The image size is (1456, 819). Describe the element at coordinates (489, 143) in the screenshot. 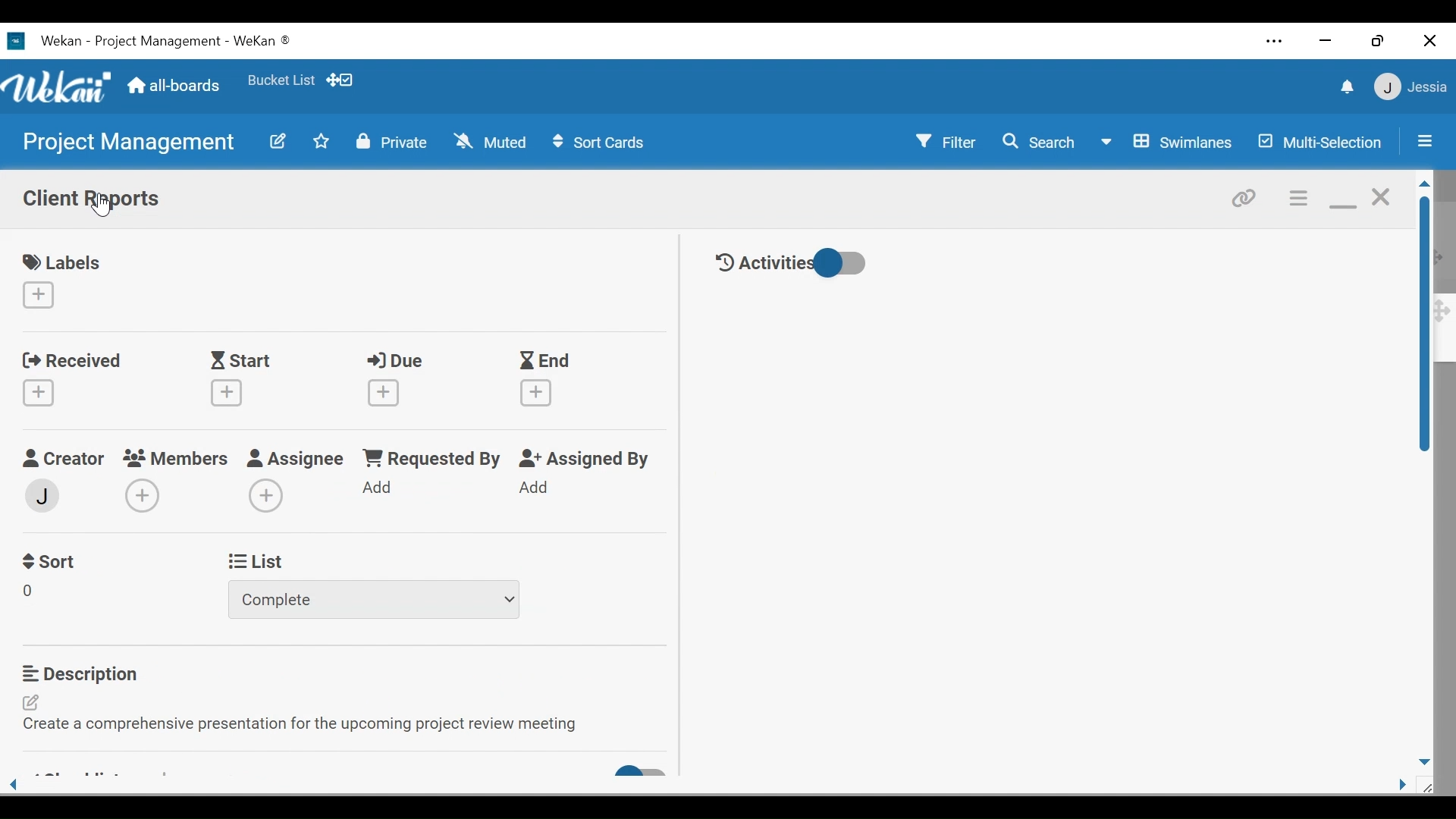

I see `Muted` at that location.